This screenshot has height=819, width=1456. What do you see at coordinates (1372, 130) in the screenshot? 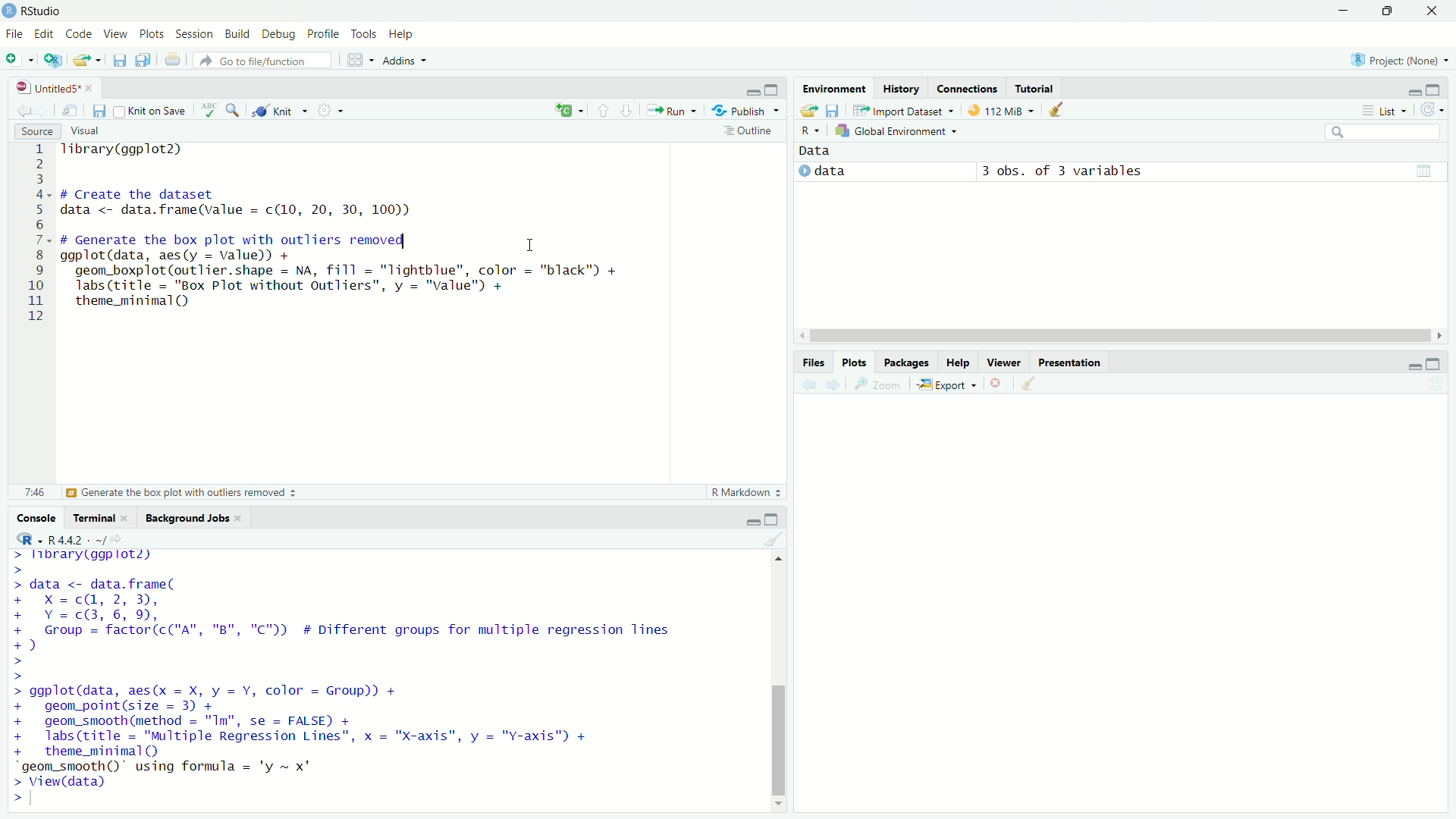
I see `search` at bounding box center [1372, 130].